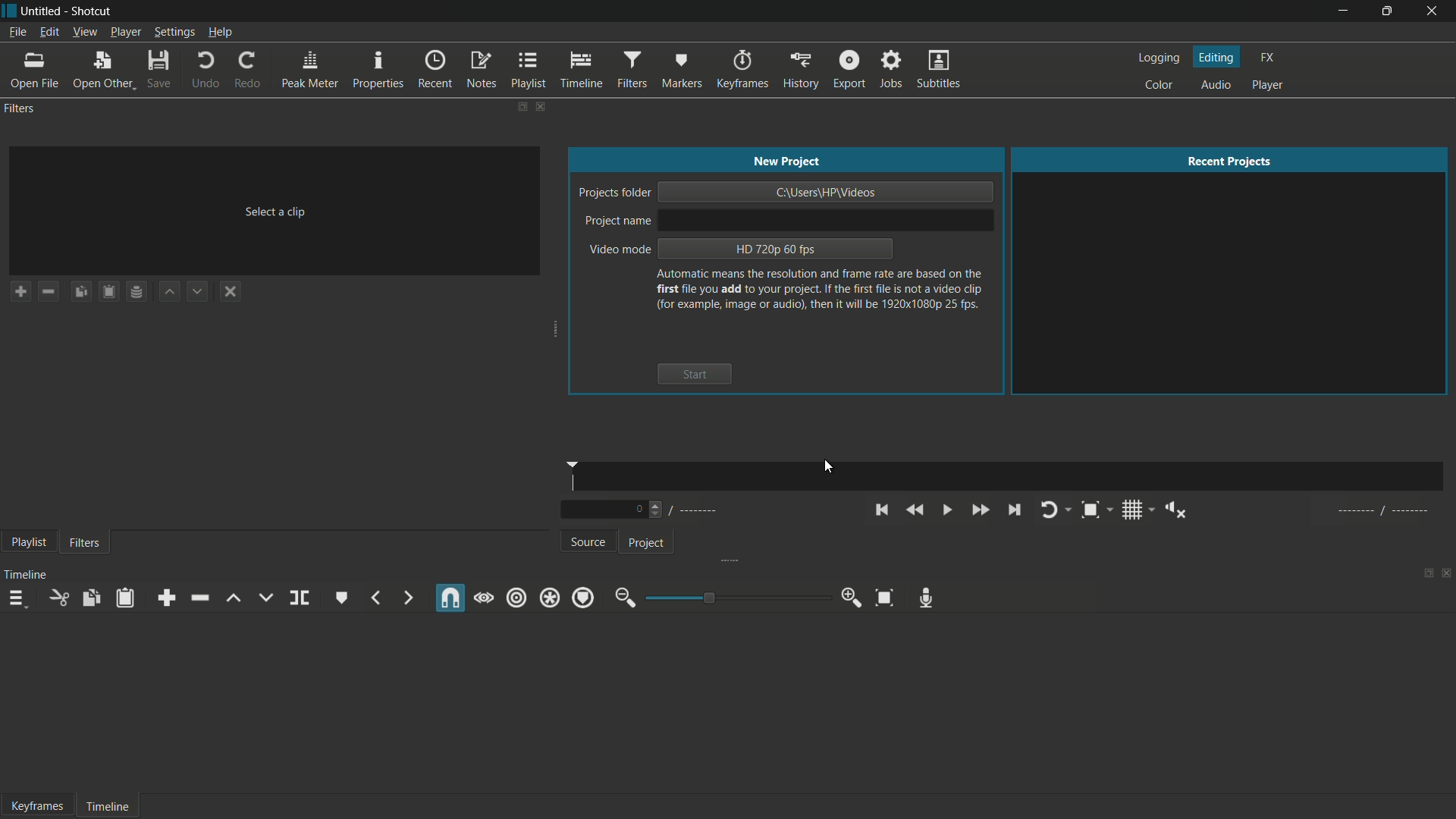 This screenshot has width=1456, height=819. I want to click on zoom timeline to fit, so click(884, 597).